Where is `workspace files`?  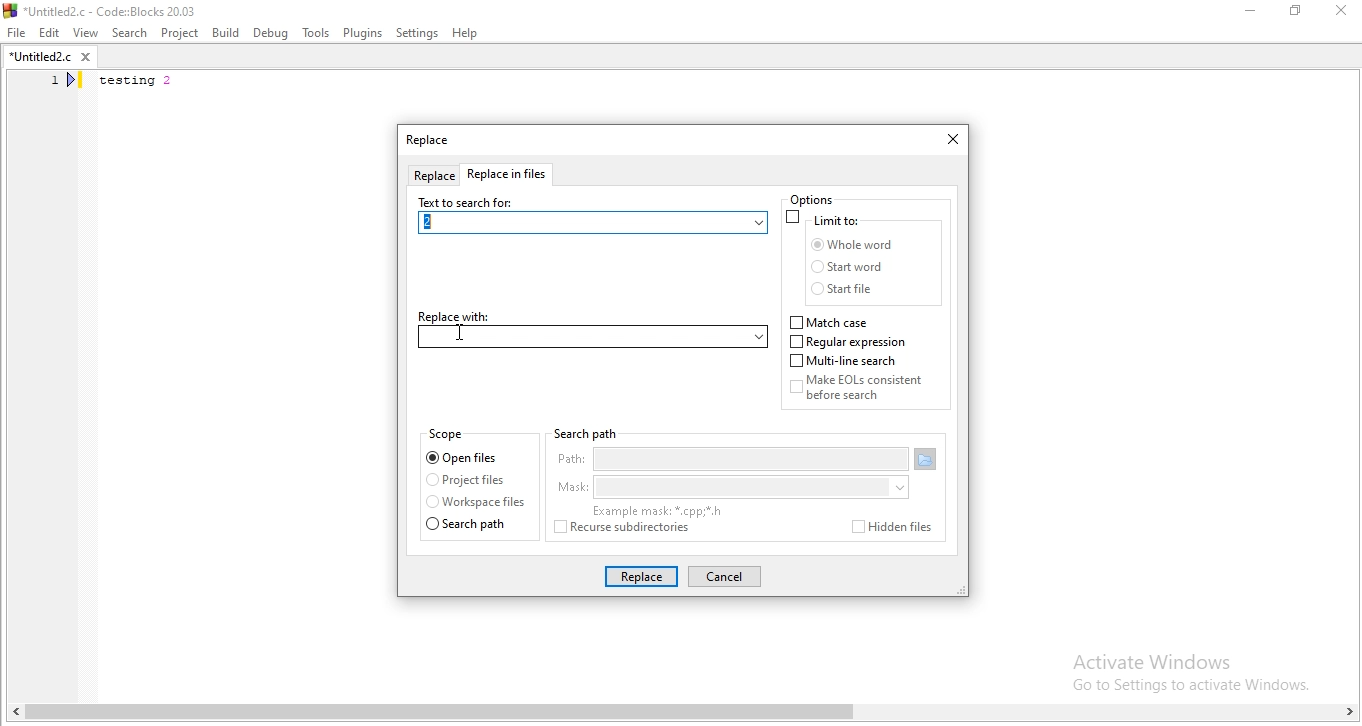
workspace files is located at coordinates (475, 503).